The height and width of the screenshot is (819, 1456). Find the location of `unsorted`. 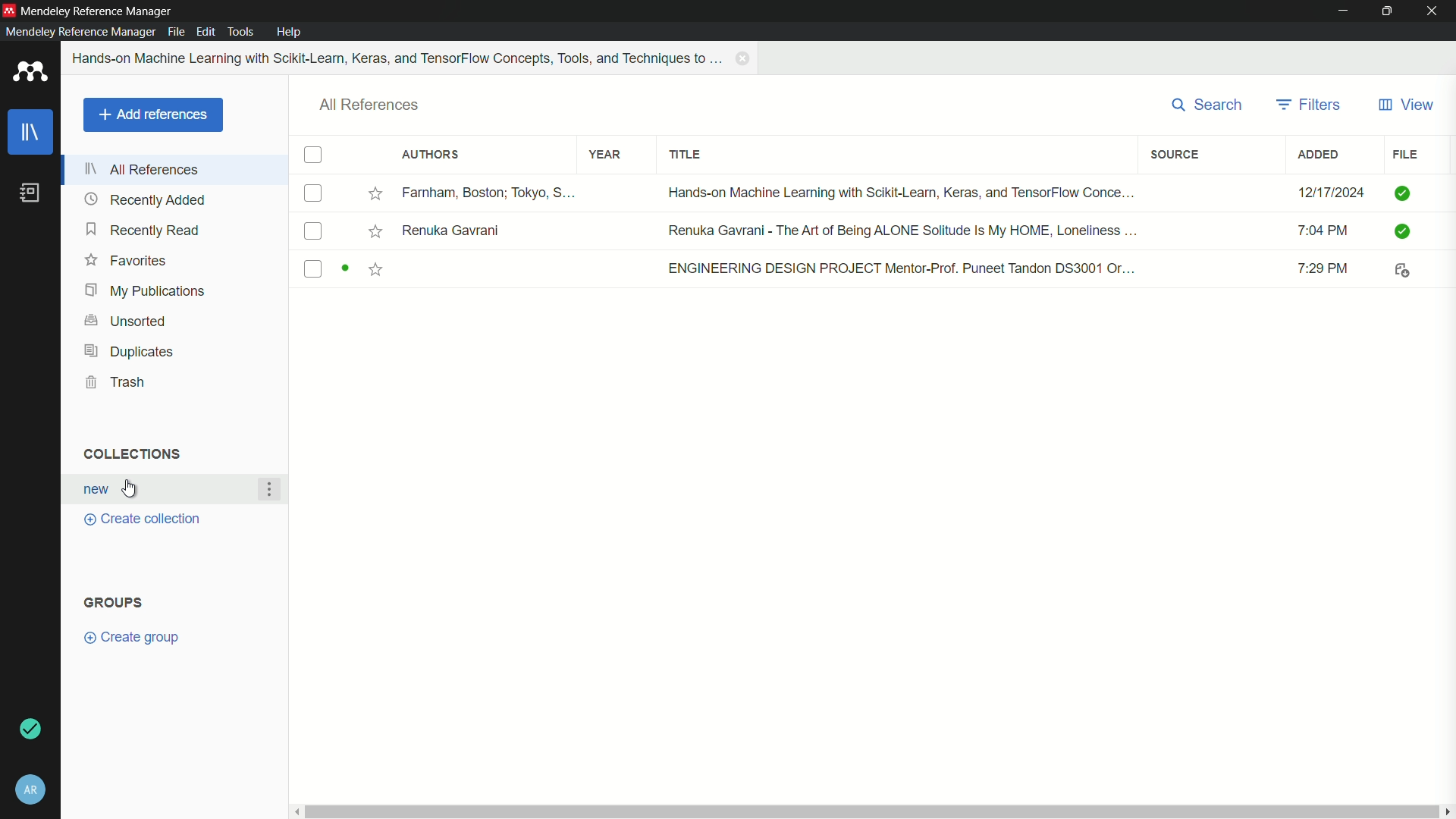

unsorted is located at coordinates (128, 319).